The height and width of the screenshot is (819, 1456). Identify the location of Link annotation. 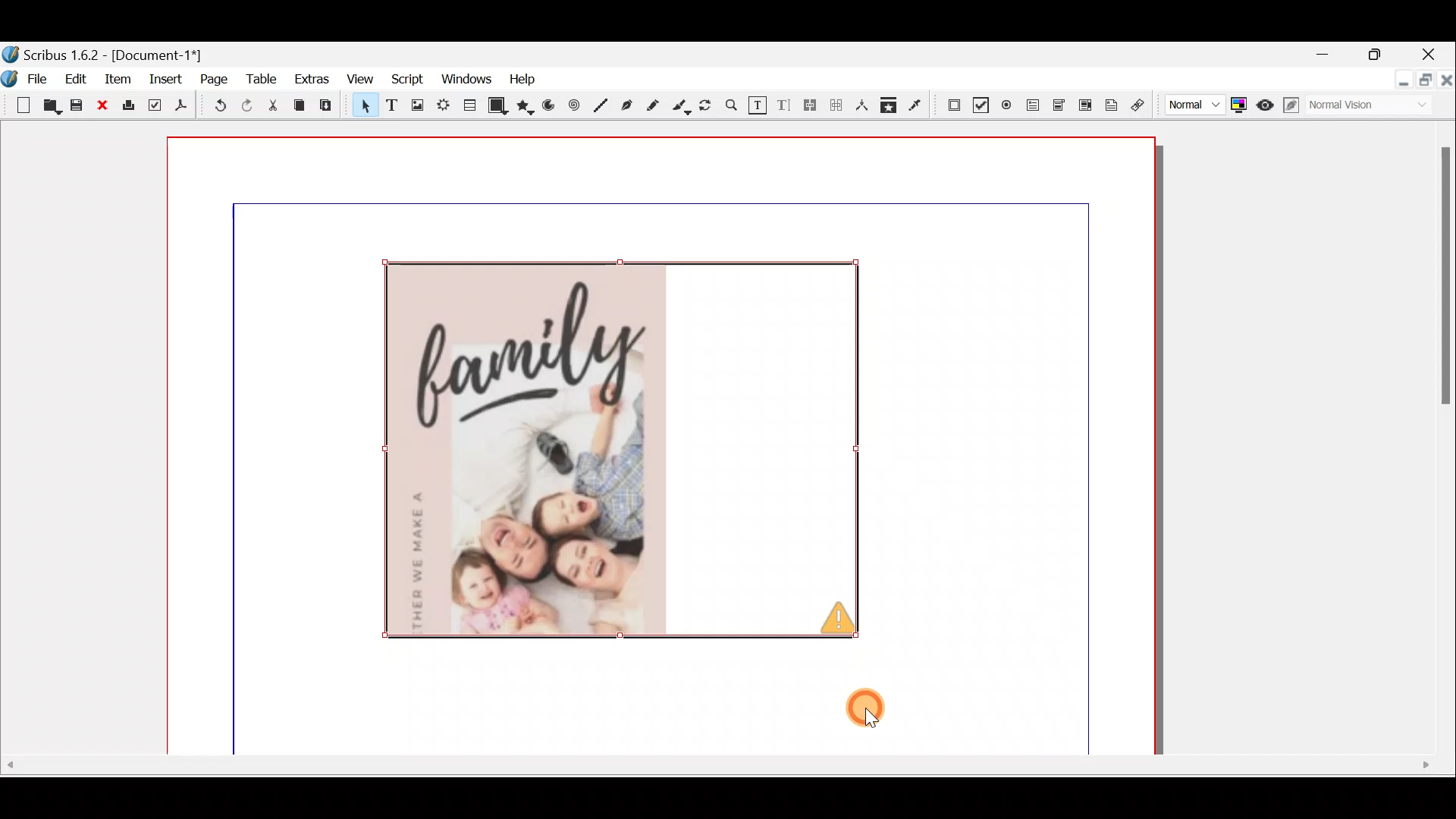
(1140, 105).